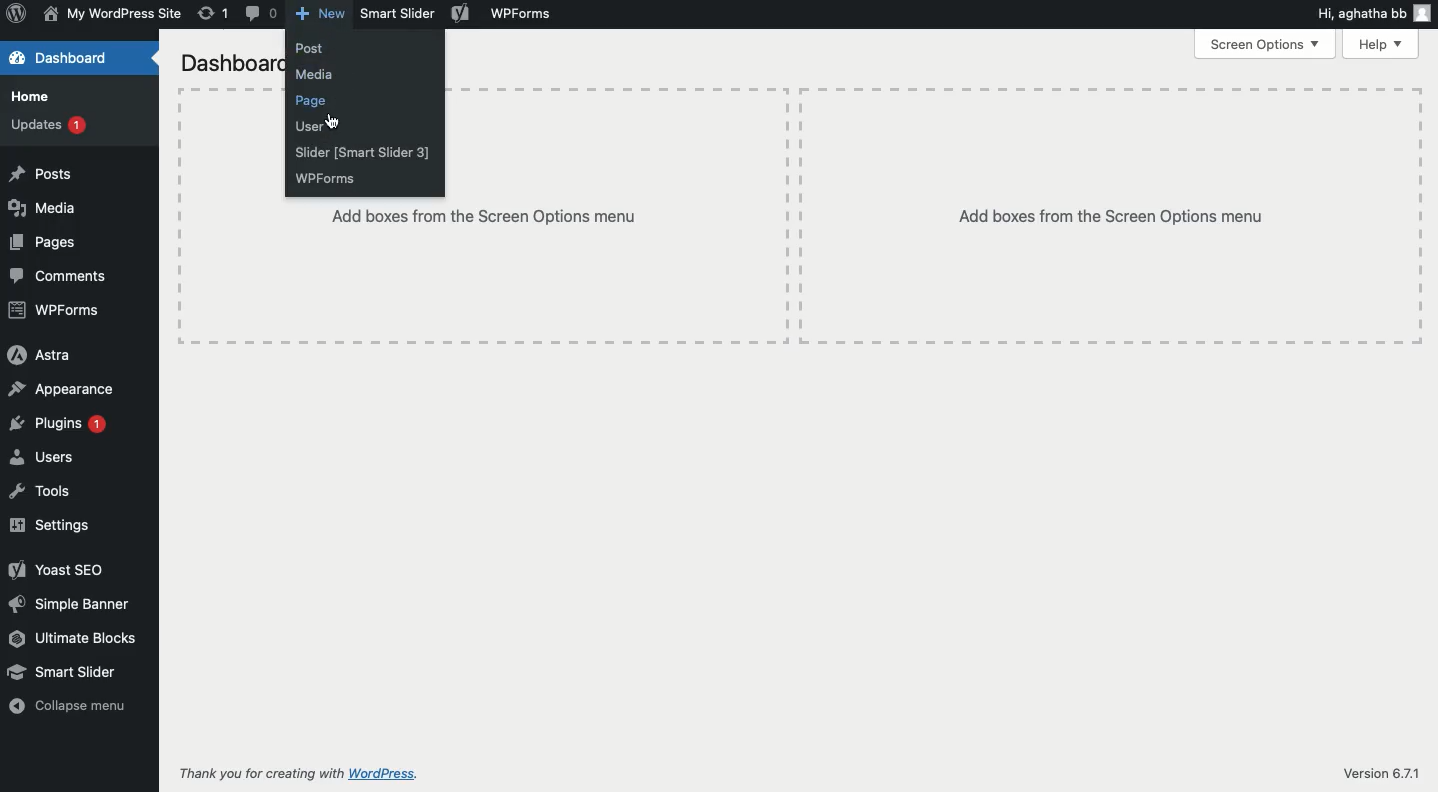 Image resolution: width=1438 pixels, height=792 pixels. Describe the element at coordinates (1264, 44) in the screenshot. I see `Screen options` at that location.